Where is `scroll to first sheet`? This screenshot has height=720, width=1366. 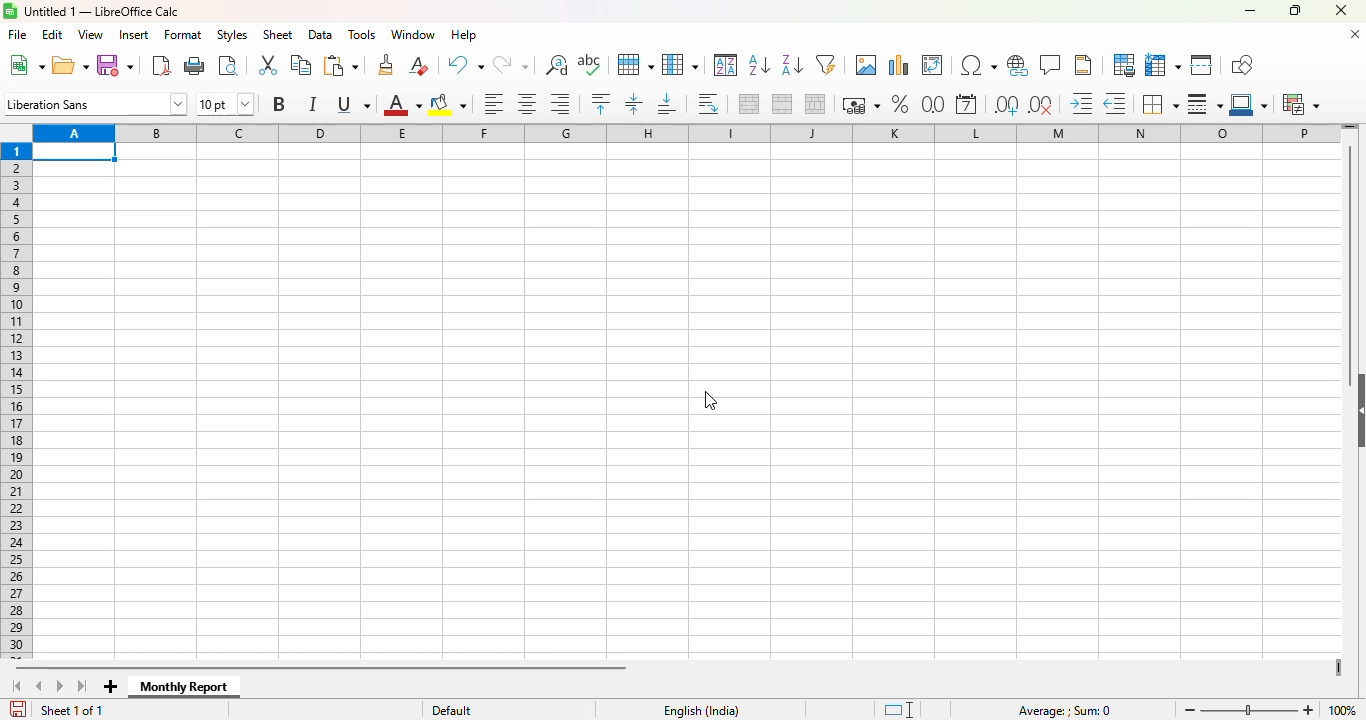
scroll to first sheet is located at coordinates (18, 686).